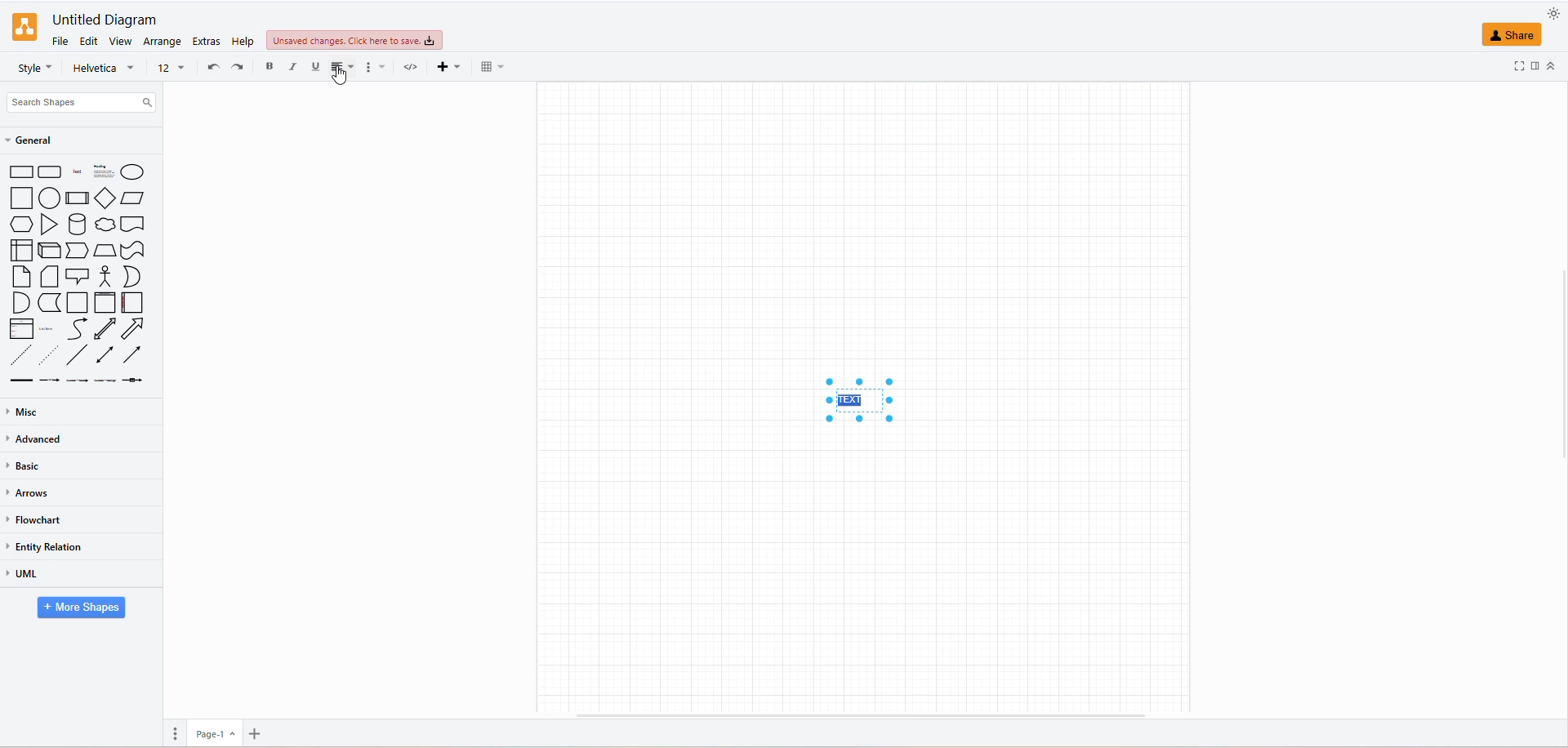 This screenshot has width=1568, height=748. I want to click on font name, so click(106, 67).